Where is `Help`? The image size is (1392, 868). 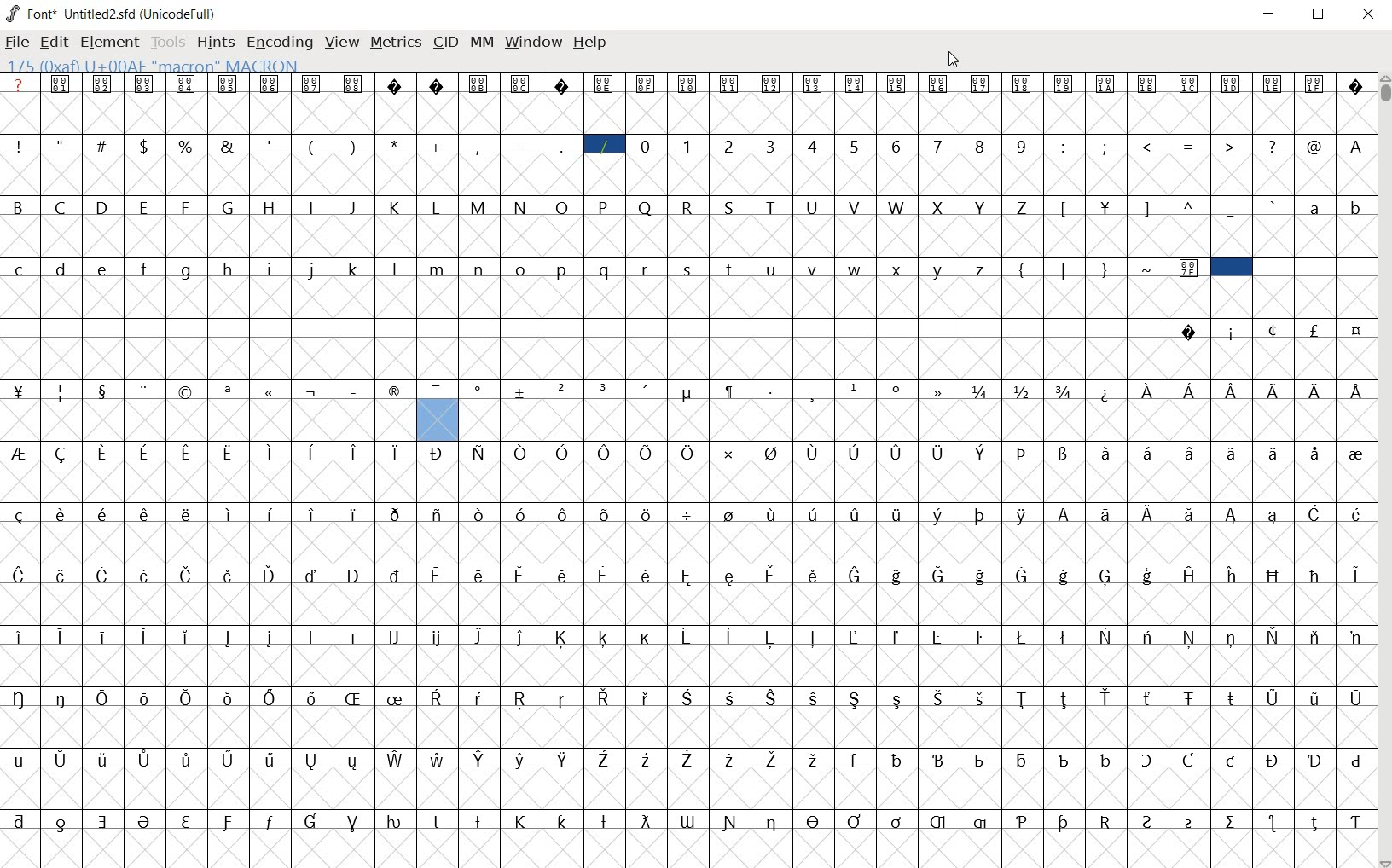 Help is located at coordinates (591, 43).